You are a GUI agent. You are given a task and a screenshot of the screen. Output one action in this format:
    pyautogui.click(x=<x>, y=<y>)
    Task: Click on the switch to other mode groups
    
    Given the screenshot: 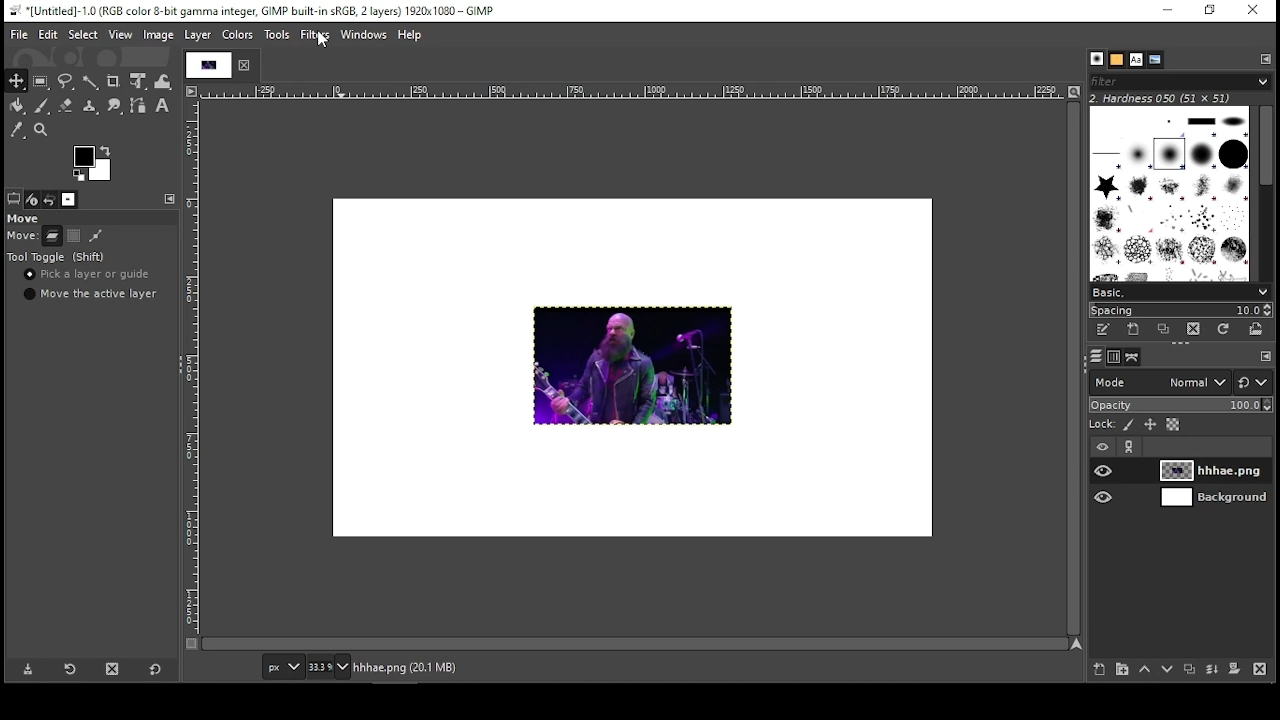 What is the action you would take?
    pyautogui.click(x=1254, y=383)
    